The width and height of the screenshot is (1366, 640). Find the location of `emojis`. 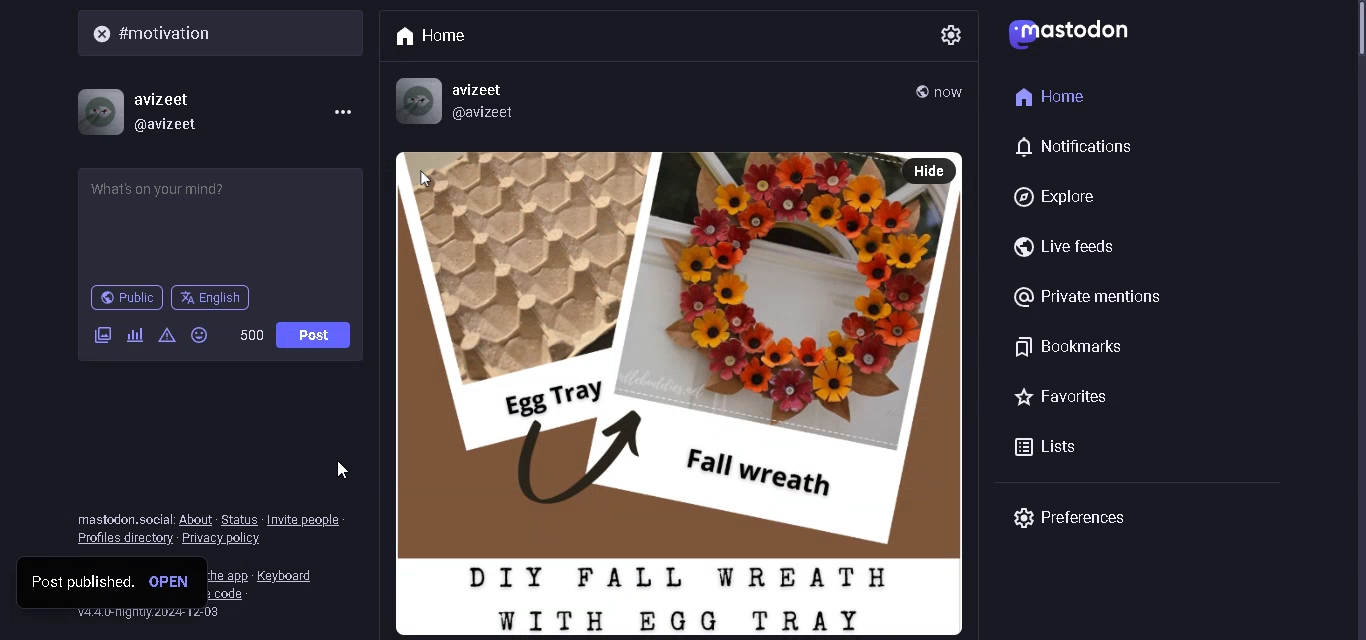

emojis is located at coordinates (208, 336).